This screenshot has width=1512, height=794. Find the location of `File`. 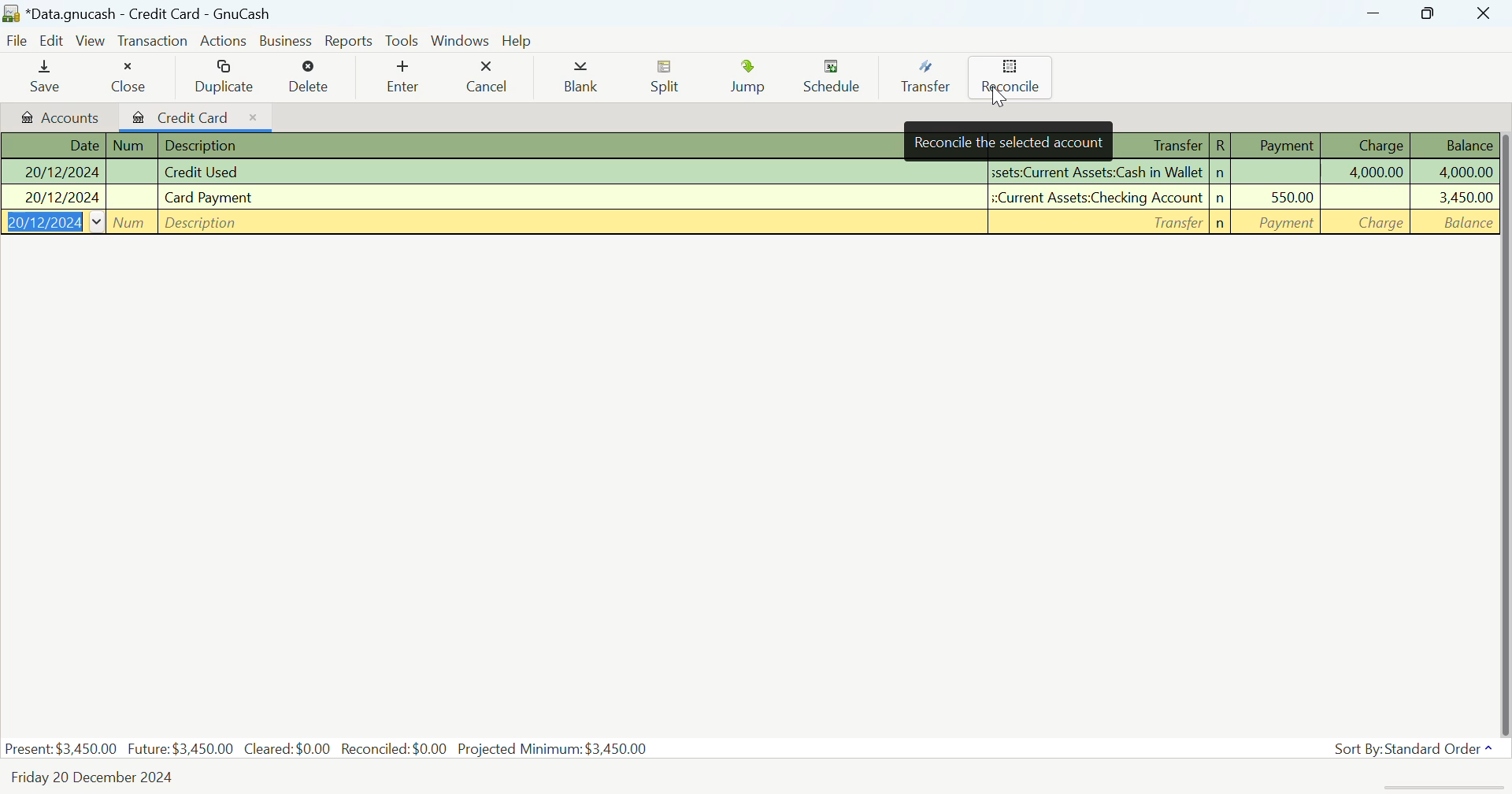

File is located at coordinates (16, 39).